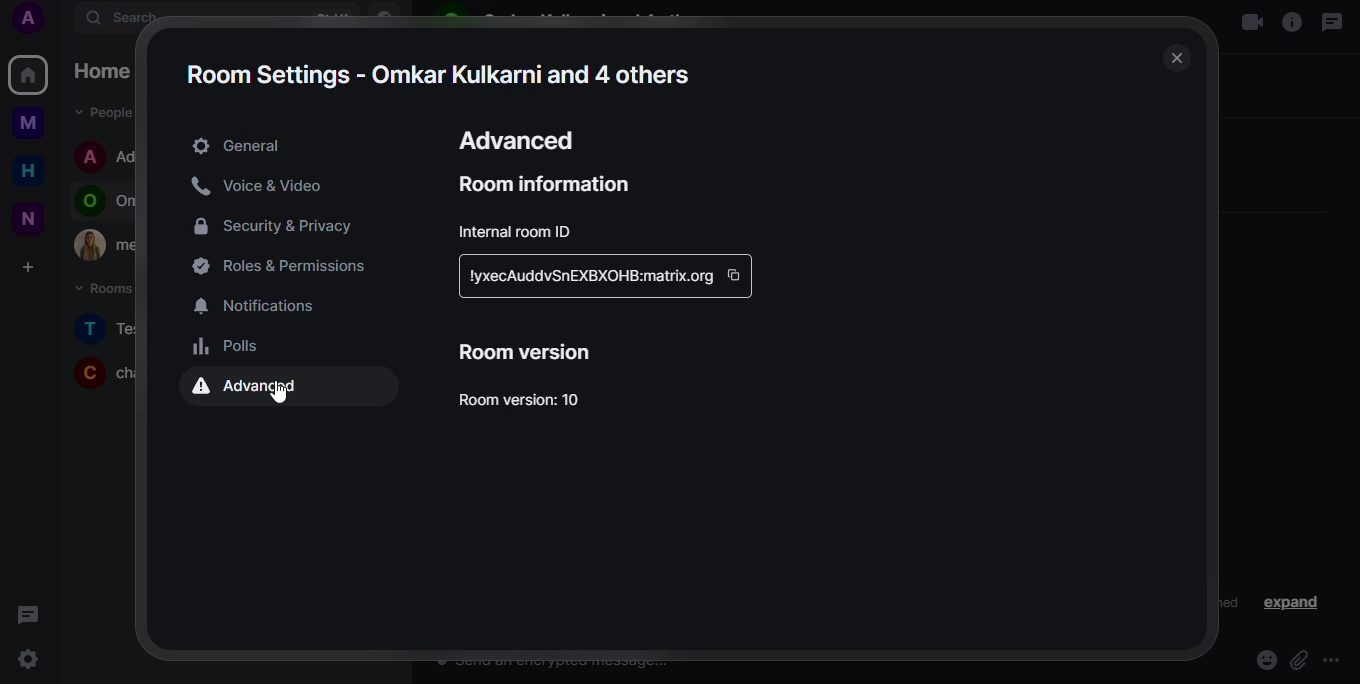 This screenshot has width=1360, height=684. I want to click on info, so click(1289, 24).